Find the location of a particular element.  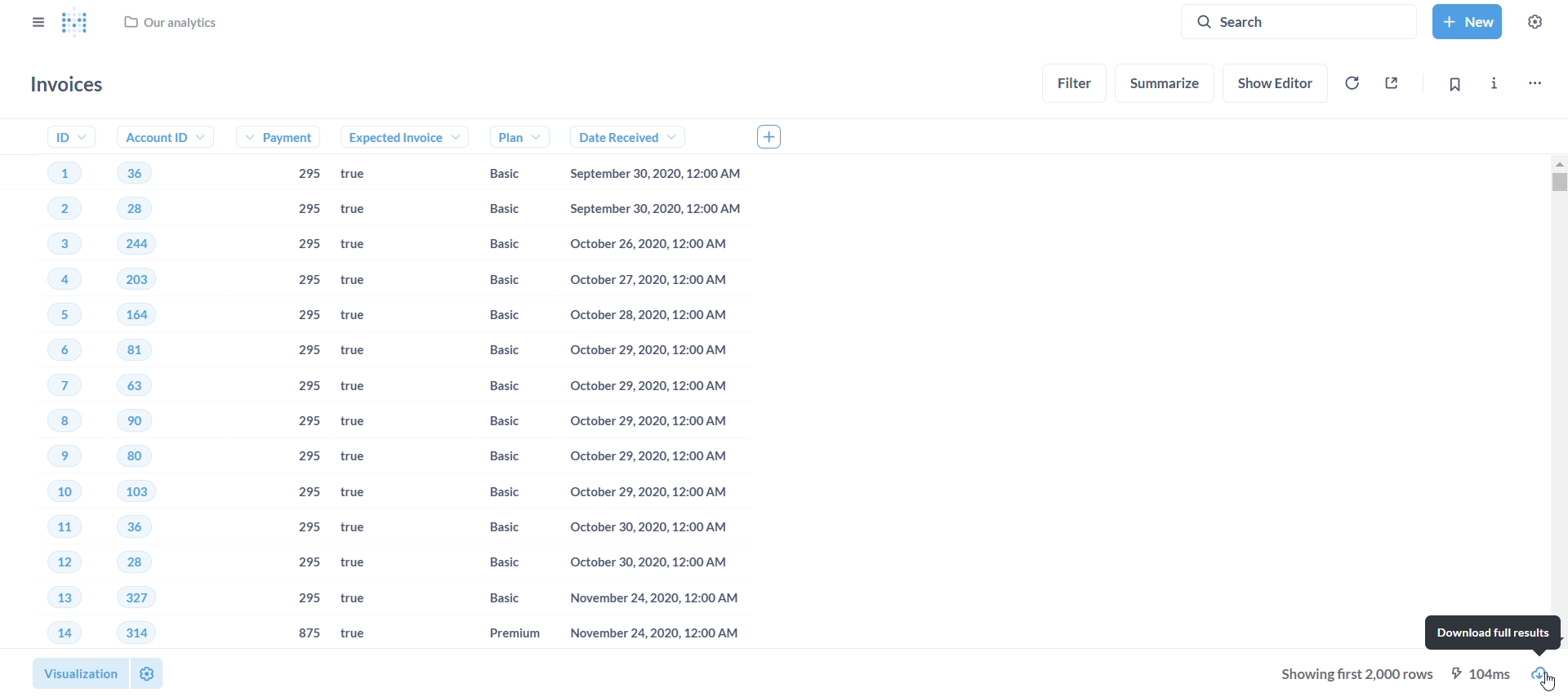

164 is located at coordinates (148, 314).